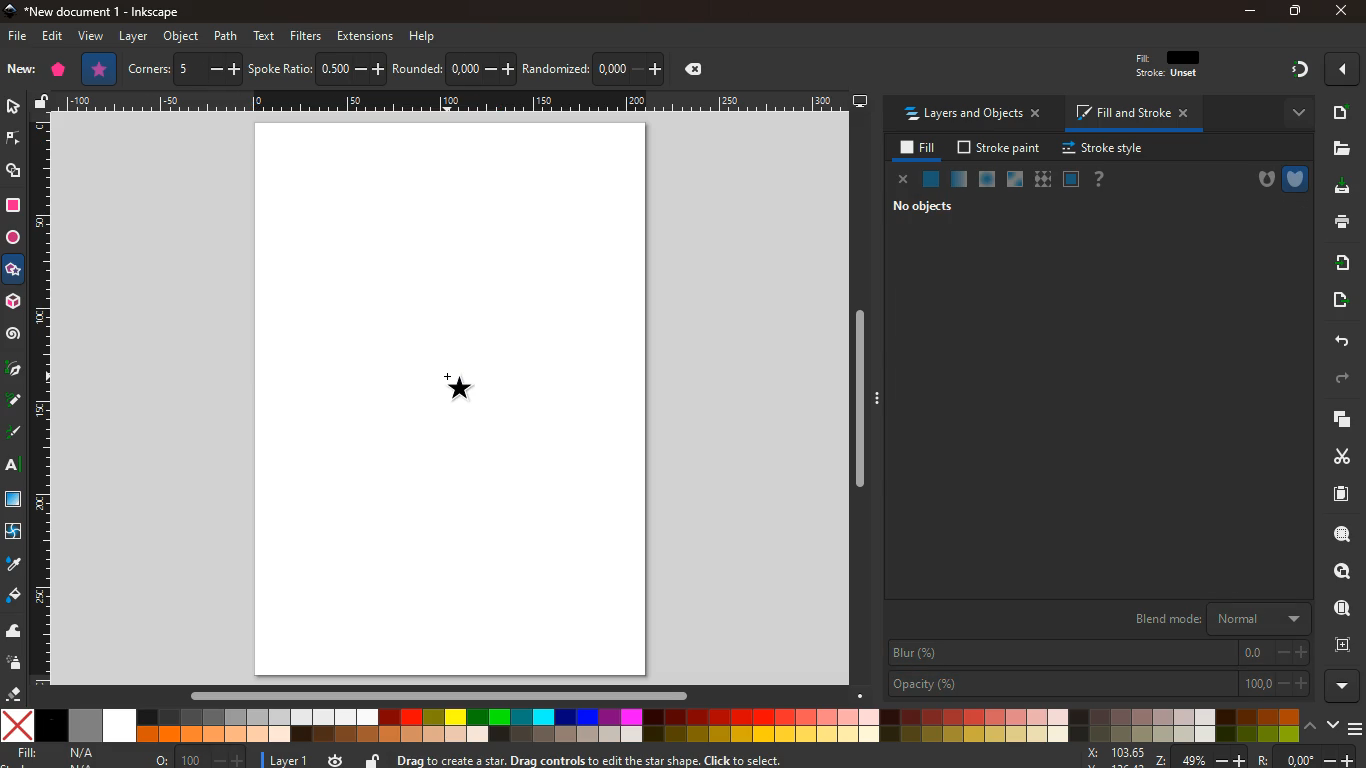  What do you see at coordinates (20, 69) in the screenshot?
I see `new` at bounding box center [20, 69].